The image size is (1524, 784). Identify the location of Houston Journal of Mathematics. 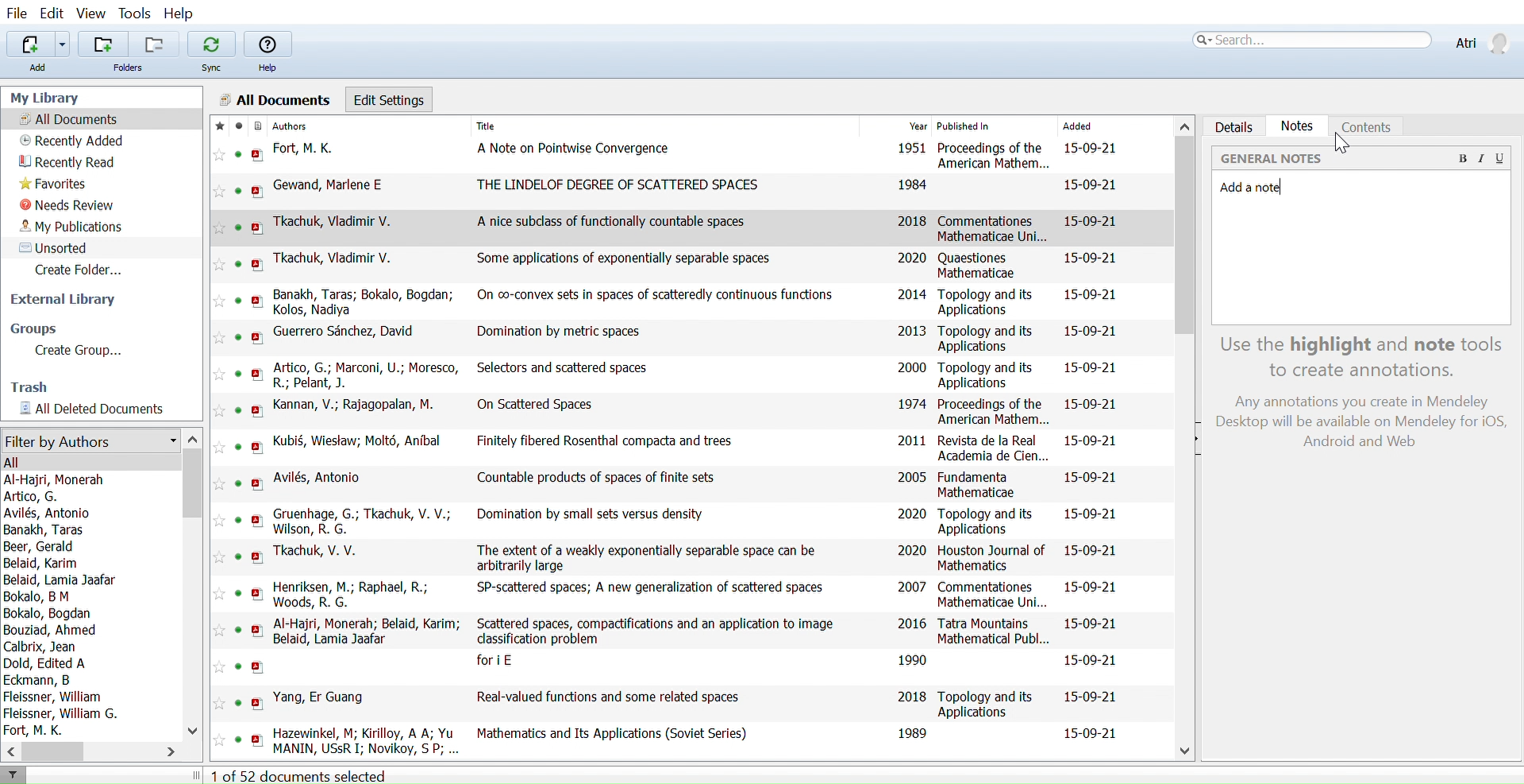
(991, 557).